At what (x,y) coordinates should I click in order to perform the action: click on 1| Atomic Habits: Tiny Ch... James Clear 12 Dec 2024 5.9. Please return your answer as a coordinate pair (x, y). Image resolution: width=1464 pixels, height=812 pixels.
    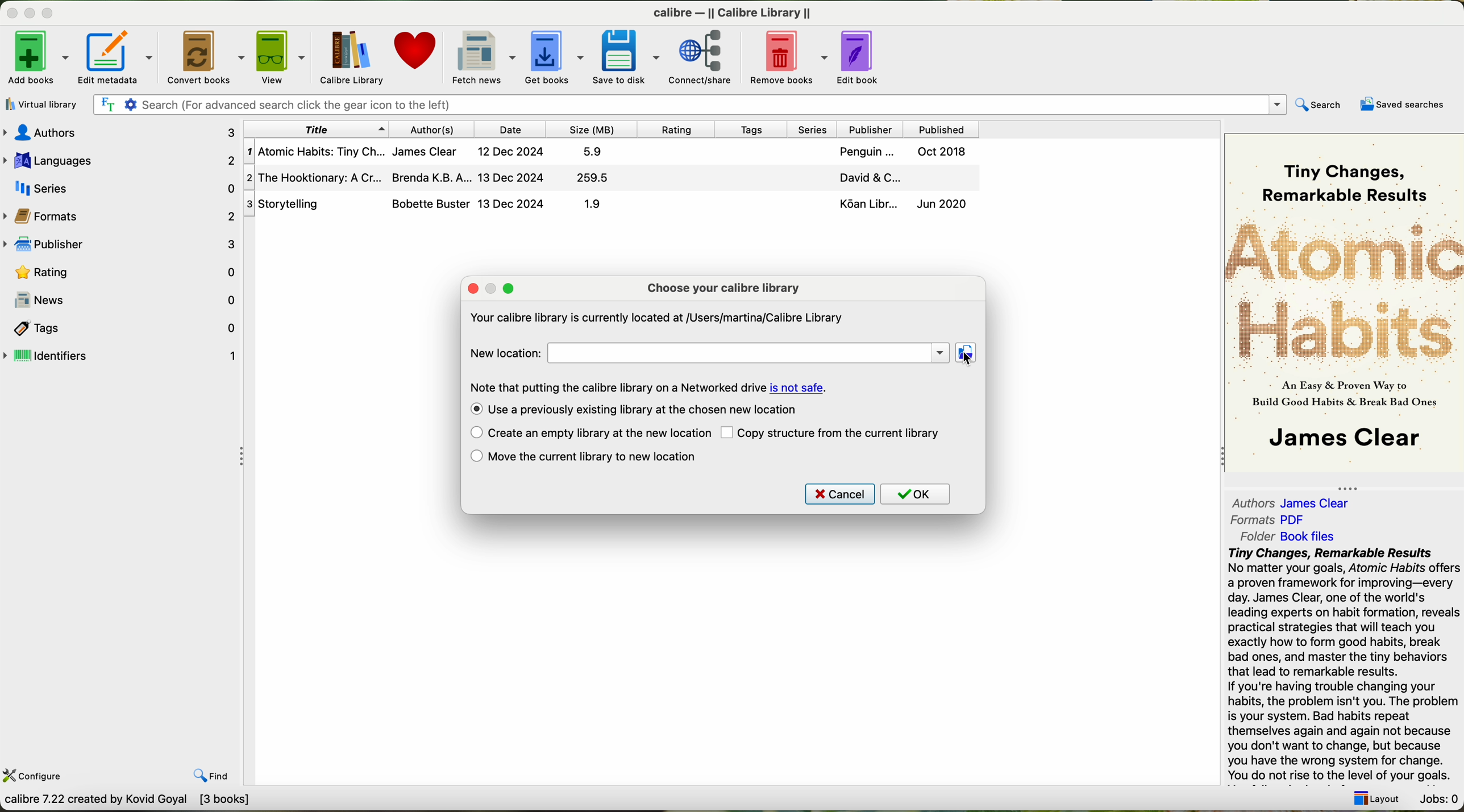
    Looking at the image, I should click on (431, 153).